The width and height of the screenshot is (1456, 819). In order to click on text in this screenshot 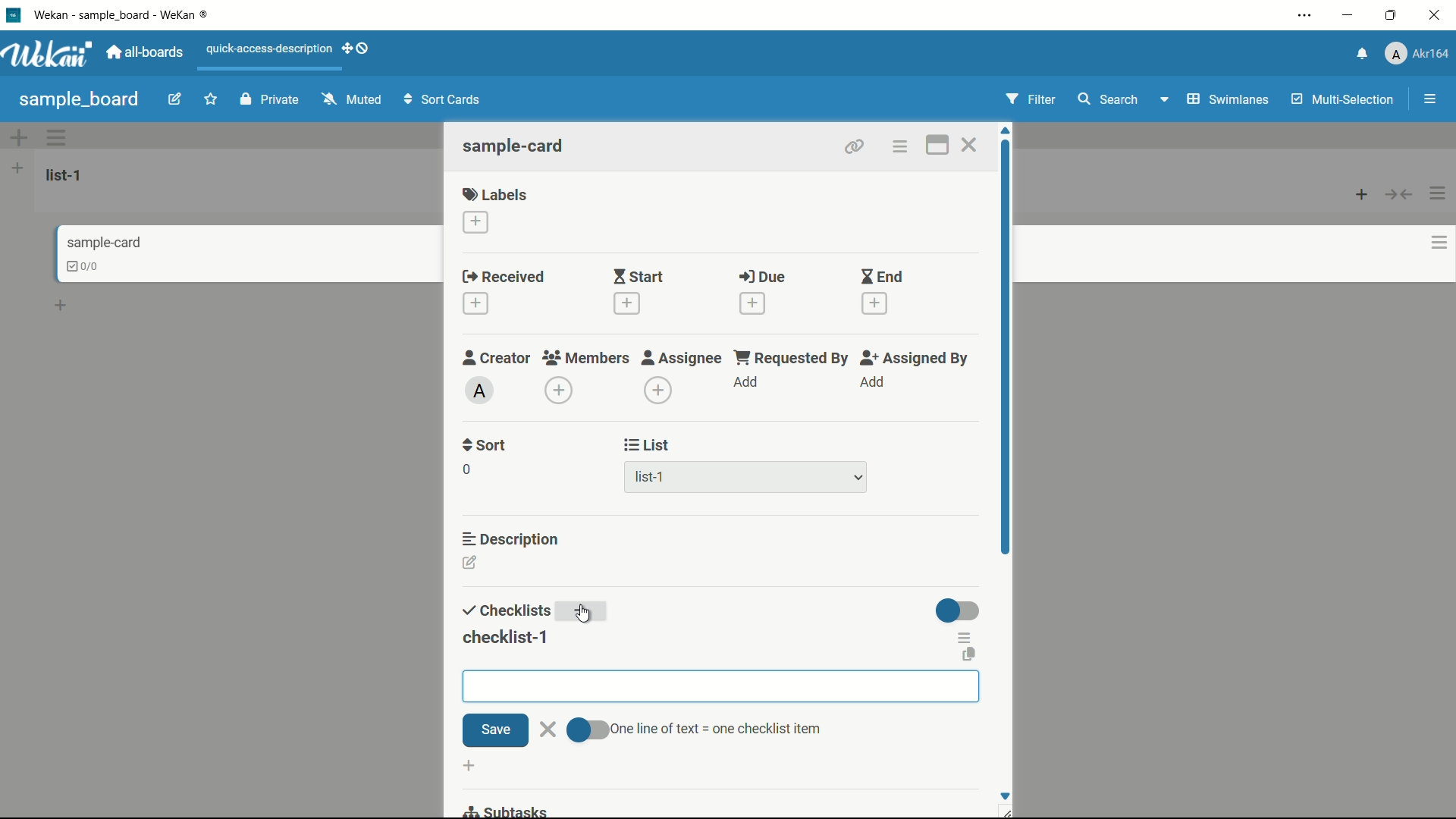, I will do `click(716, 729)`.